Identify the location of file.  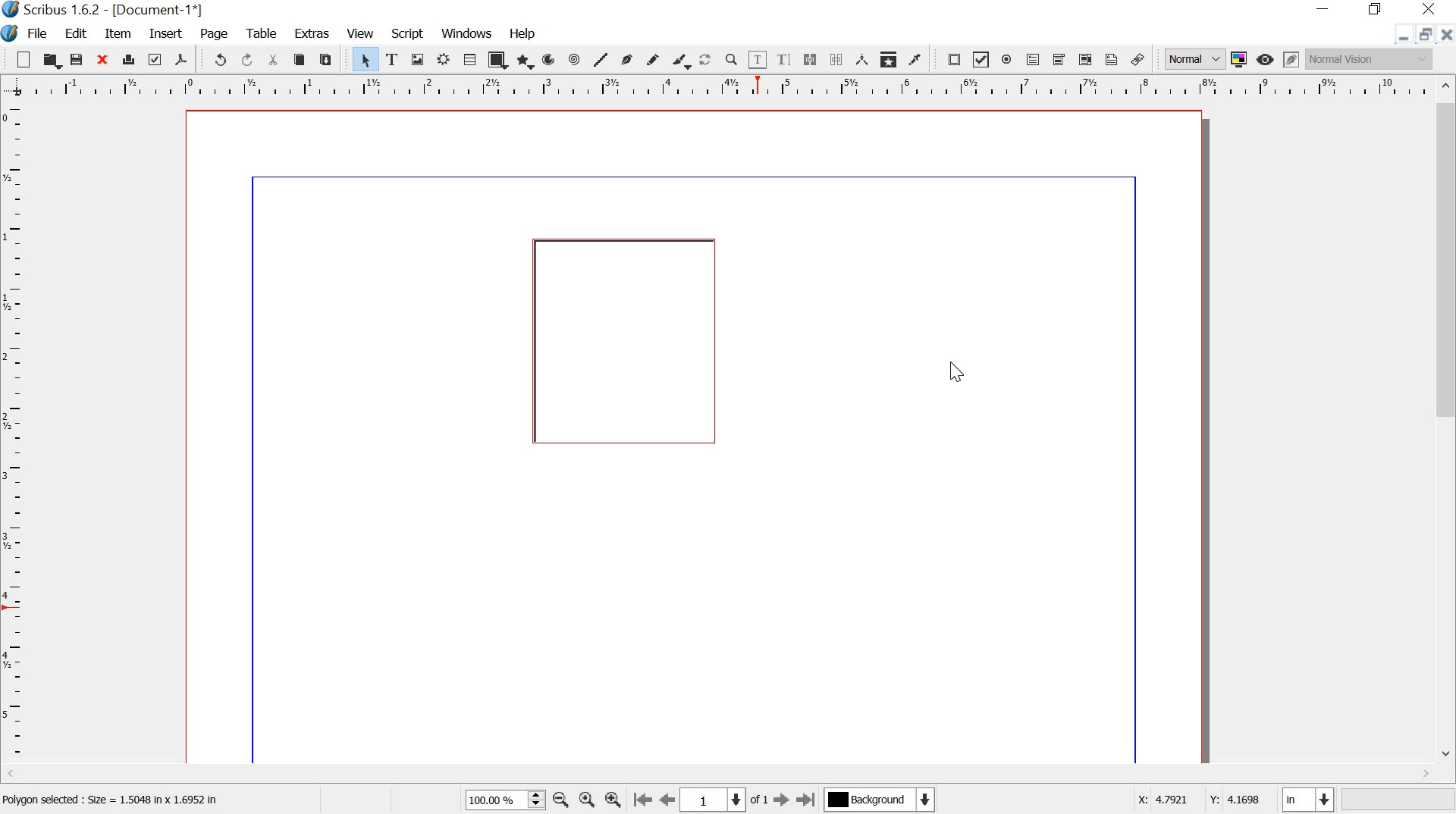
(38, 33).